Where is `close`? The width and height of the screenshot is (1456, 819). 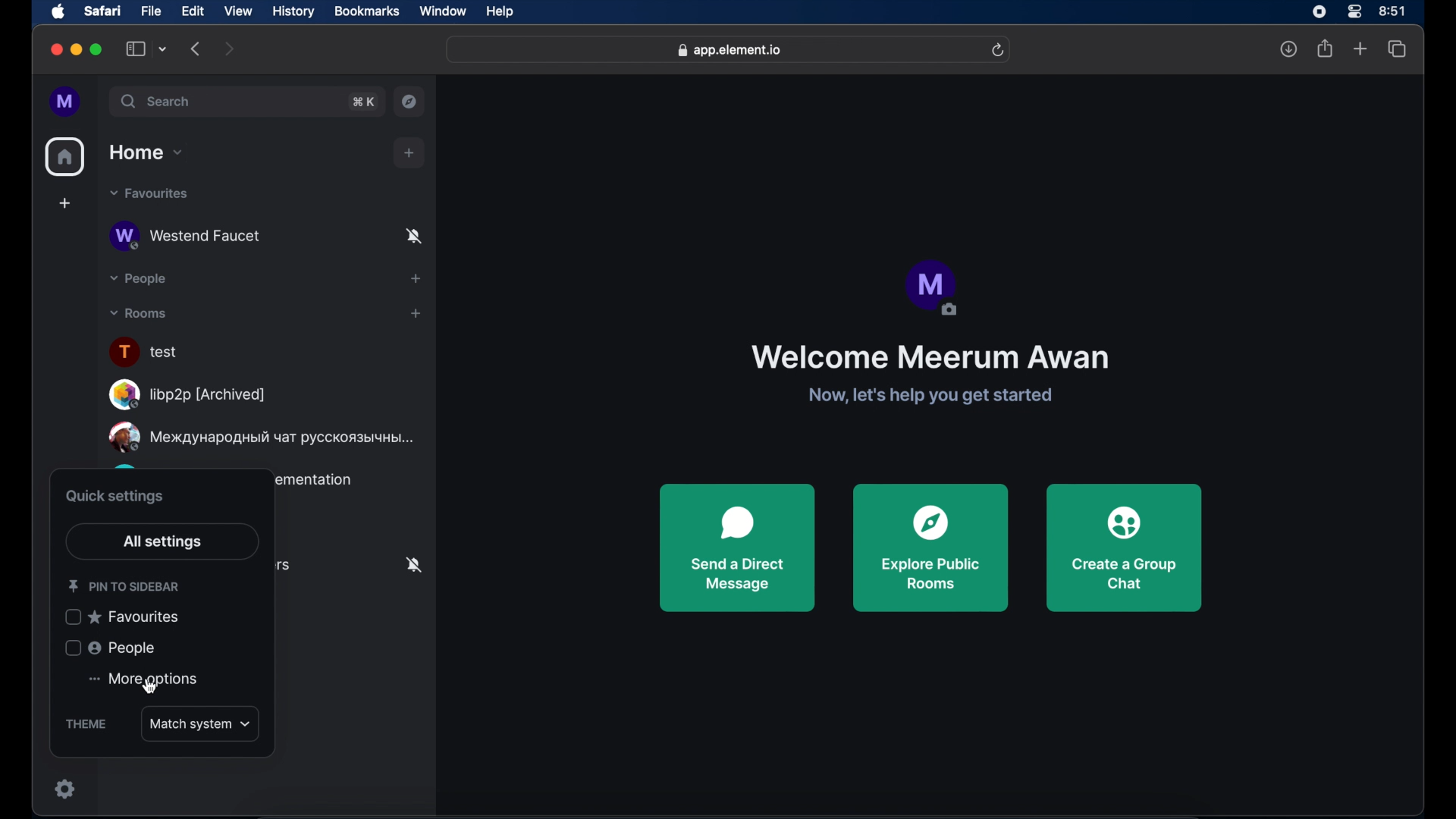 close is located at coordinates (55, 50).